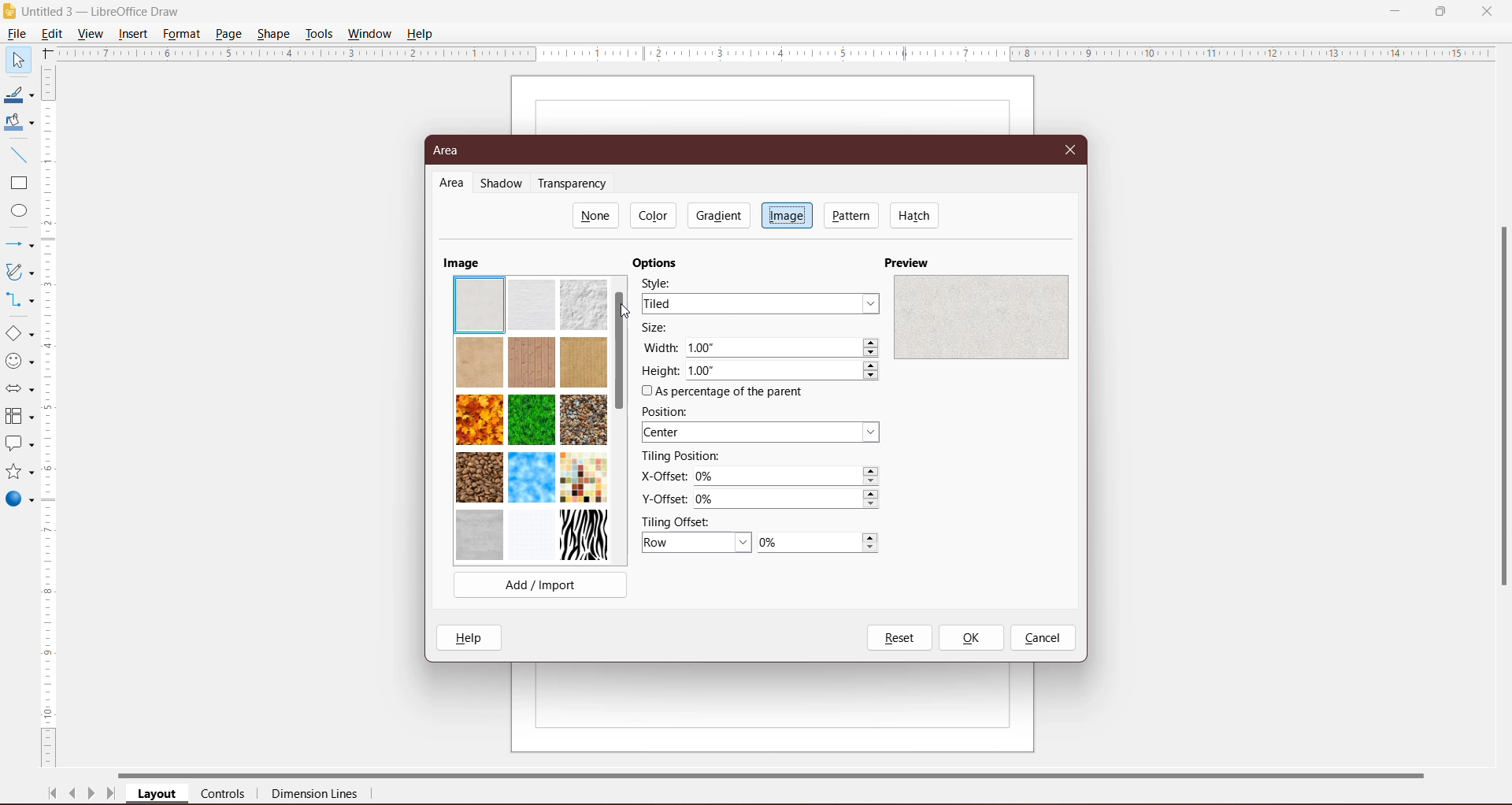 The width and height of the screenshot is (1512, 805). I want to click on Cancel, so click(1043, 639).